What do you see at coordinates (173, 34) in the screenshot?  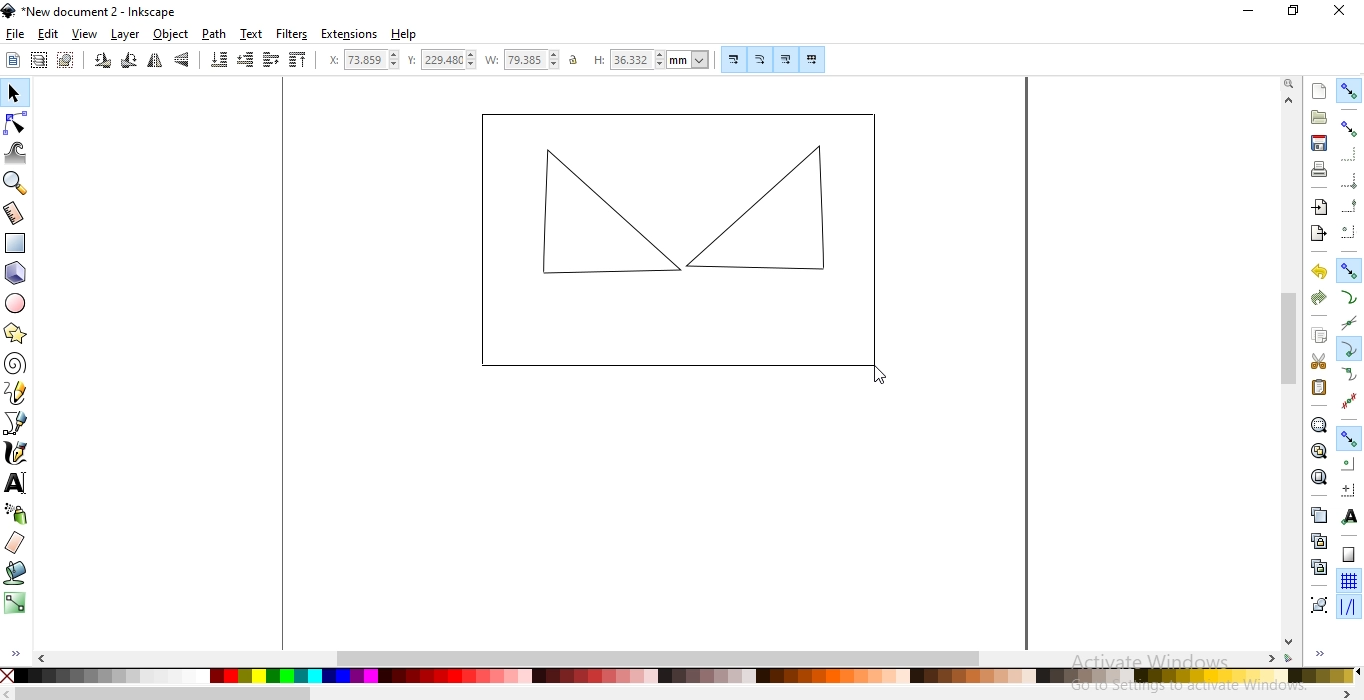 I see `objects` at bounding box center [173, 34].